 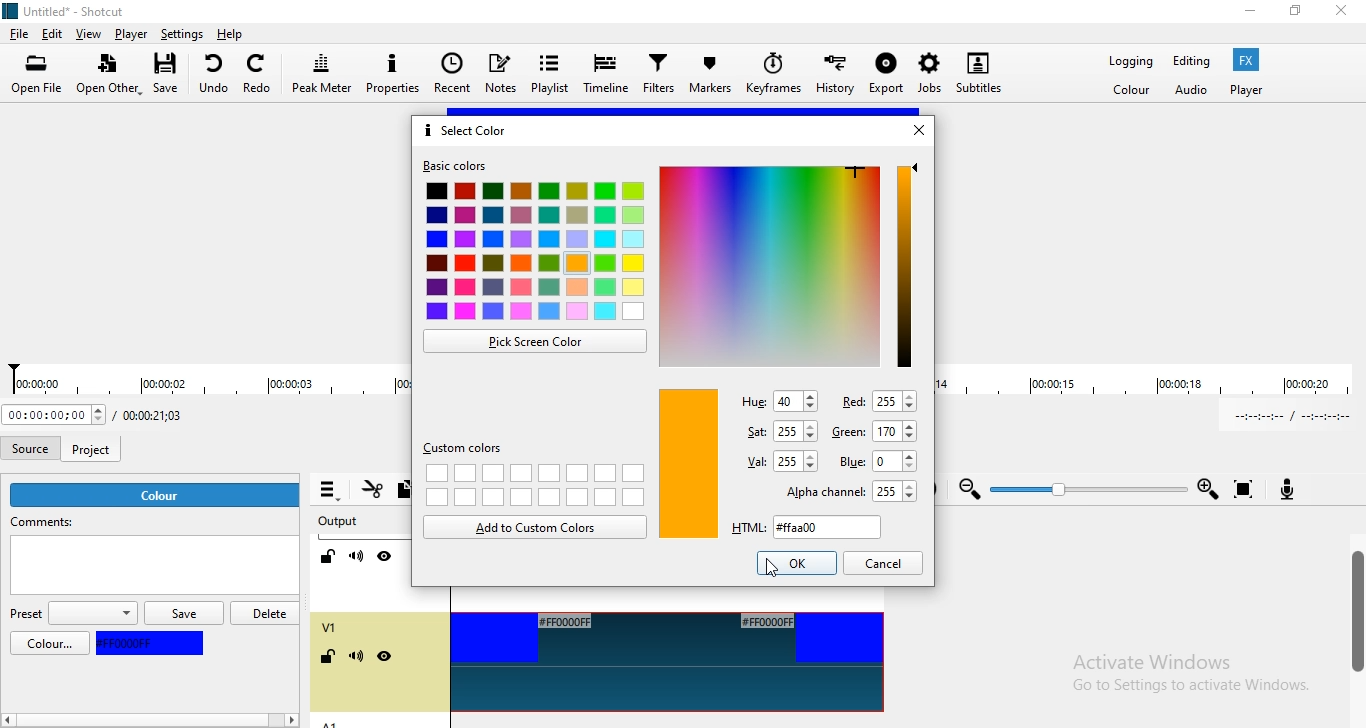 What do you see at coordinates (466, 130) in the screenshot?
I see `select color` at bounding box center [466, 130].